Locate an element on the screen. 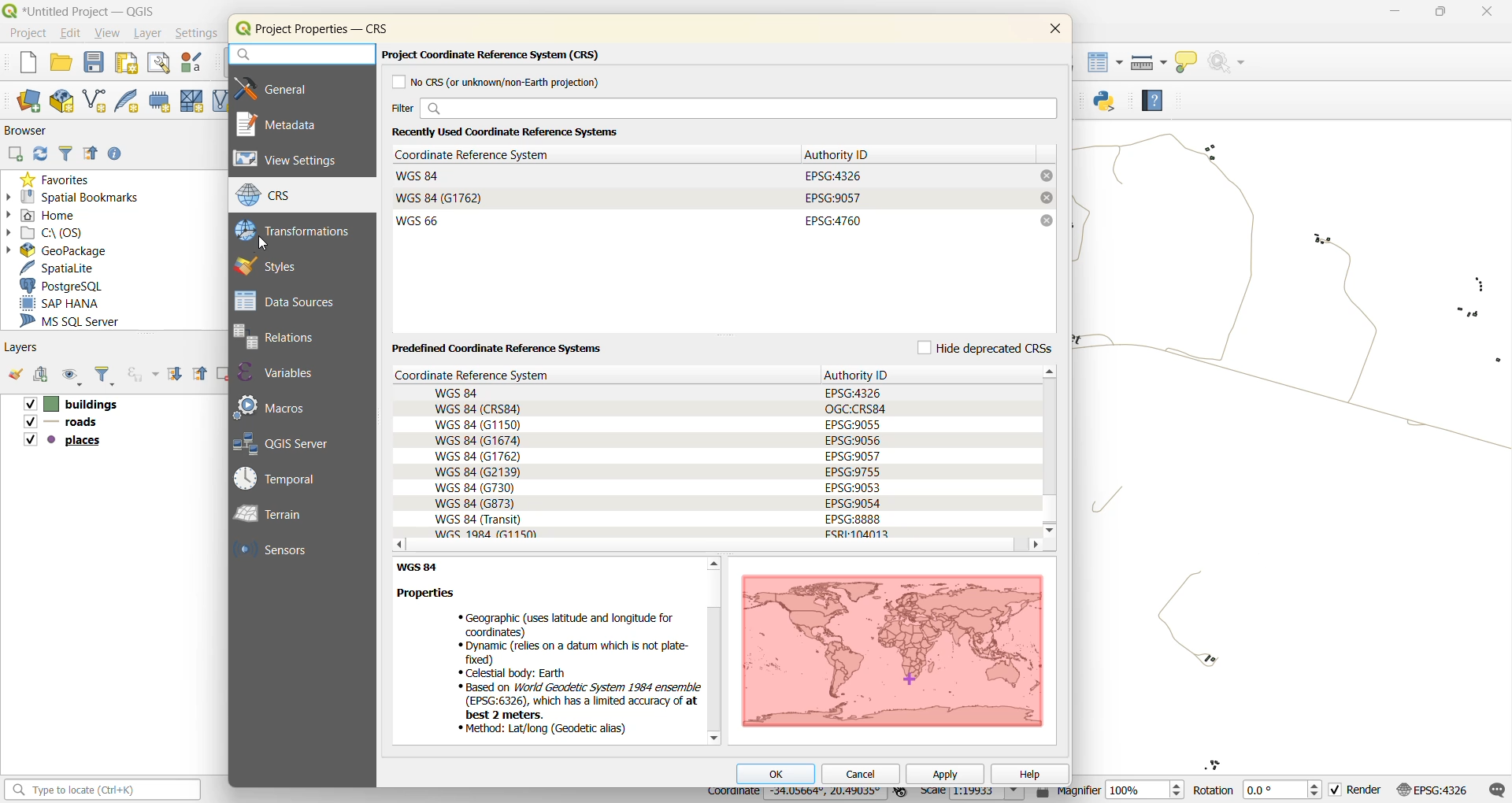  WGS 84 (G1674) is located at coordinates (476, 441).